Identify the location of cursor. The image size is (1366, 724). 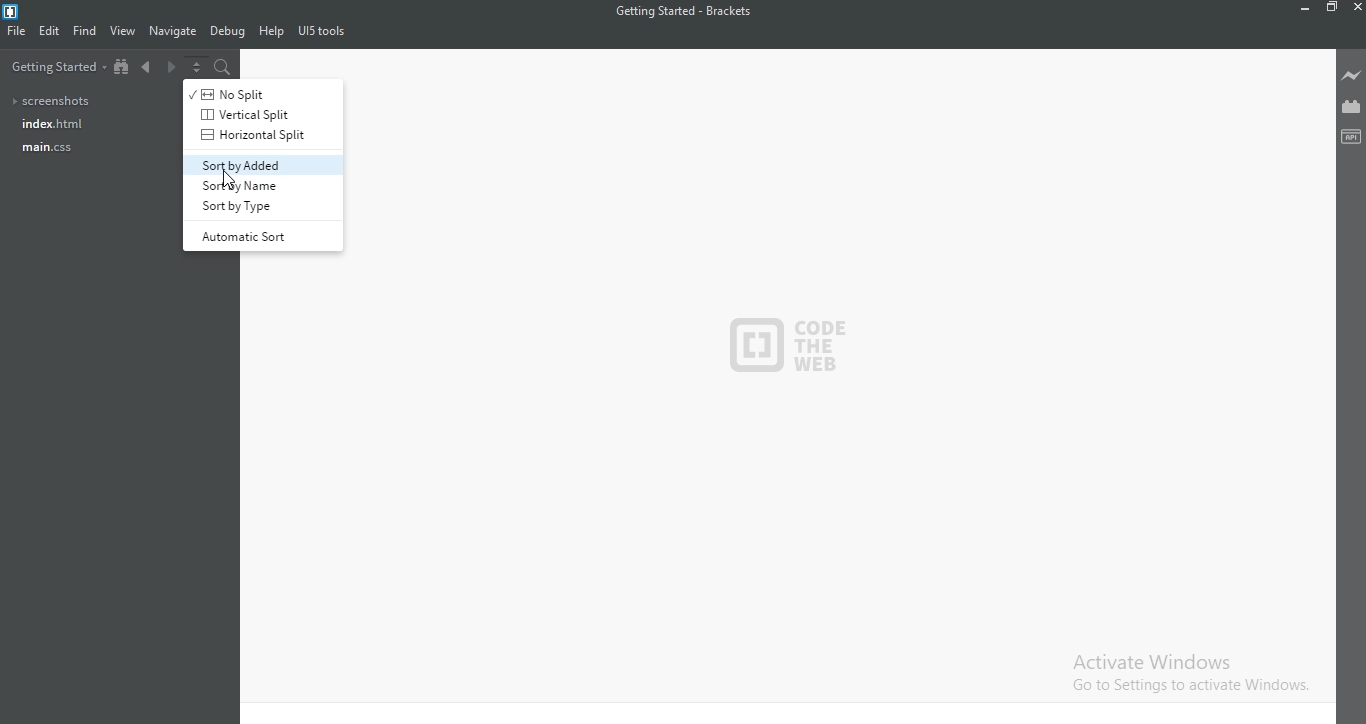
(236, 178).